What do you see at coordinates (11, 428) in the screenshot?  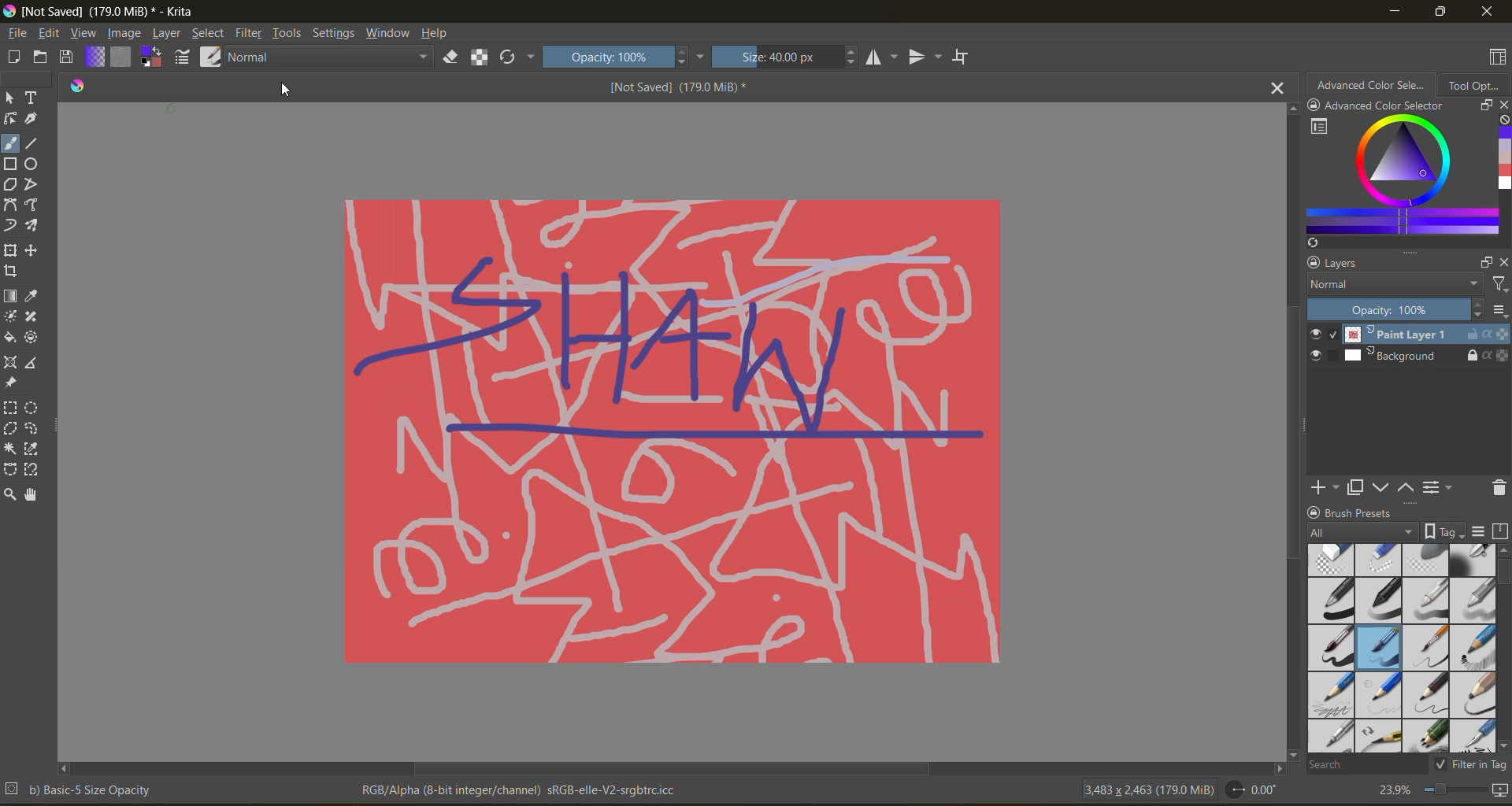 I see `polygonal selection tool` at bounding box center [11, 428].